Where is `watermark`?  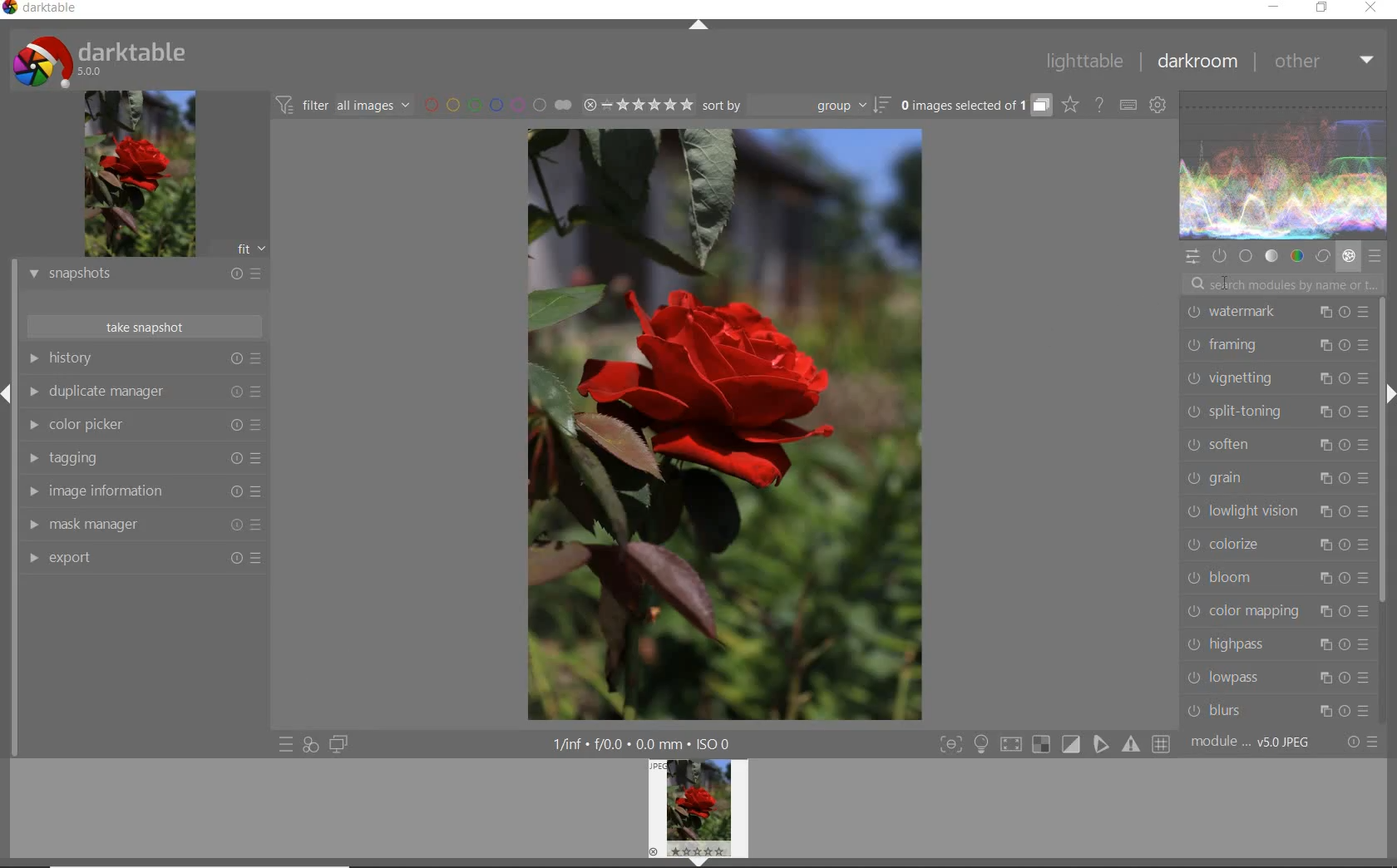 watermark is located at coordinates (1276, 313).